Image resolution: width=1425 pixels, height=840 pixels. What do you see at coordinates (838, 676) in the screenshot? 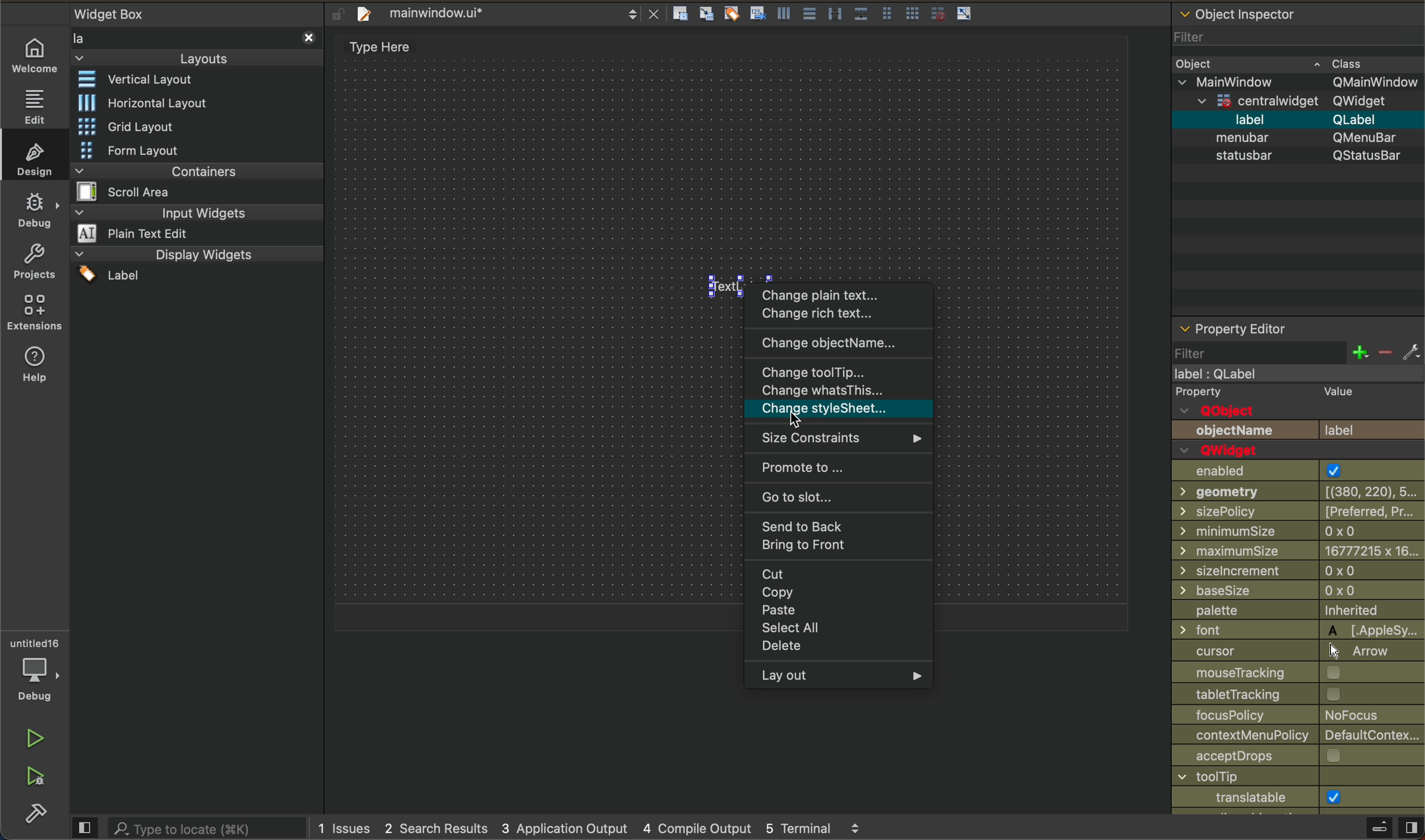
I see `lay out` at bounding box center [838, 676].